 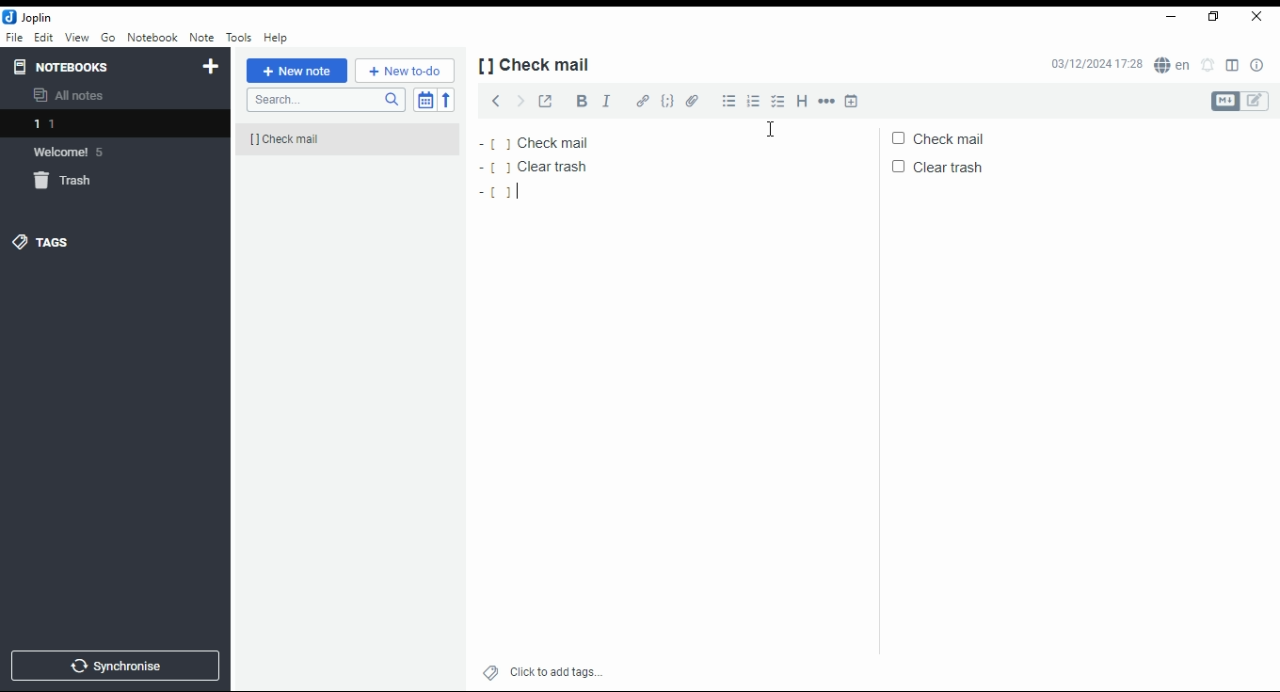 What do you see at coordinates (76, 152) in the screenshot?
I see `welcome` at bounding box center [76, 152].